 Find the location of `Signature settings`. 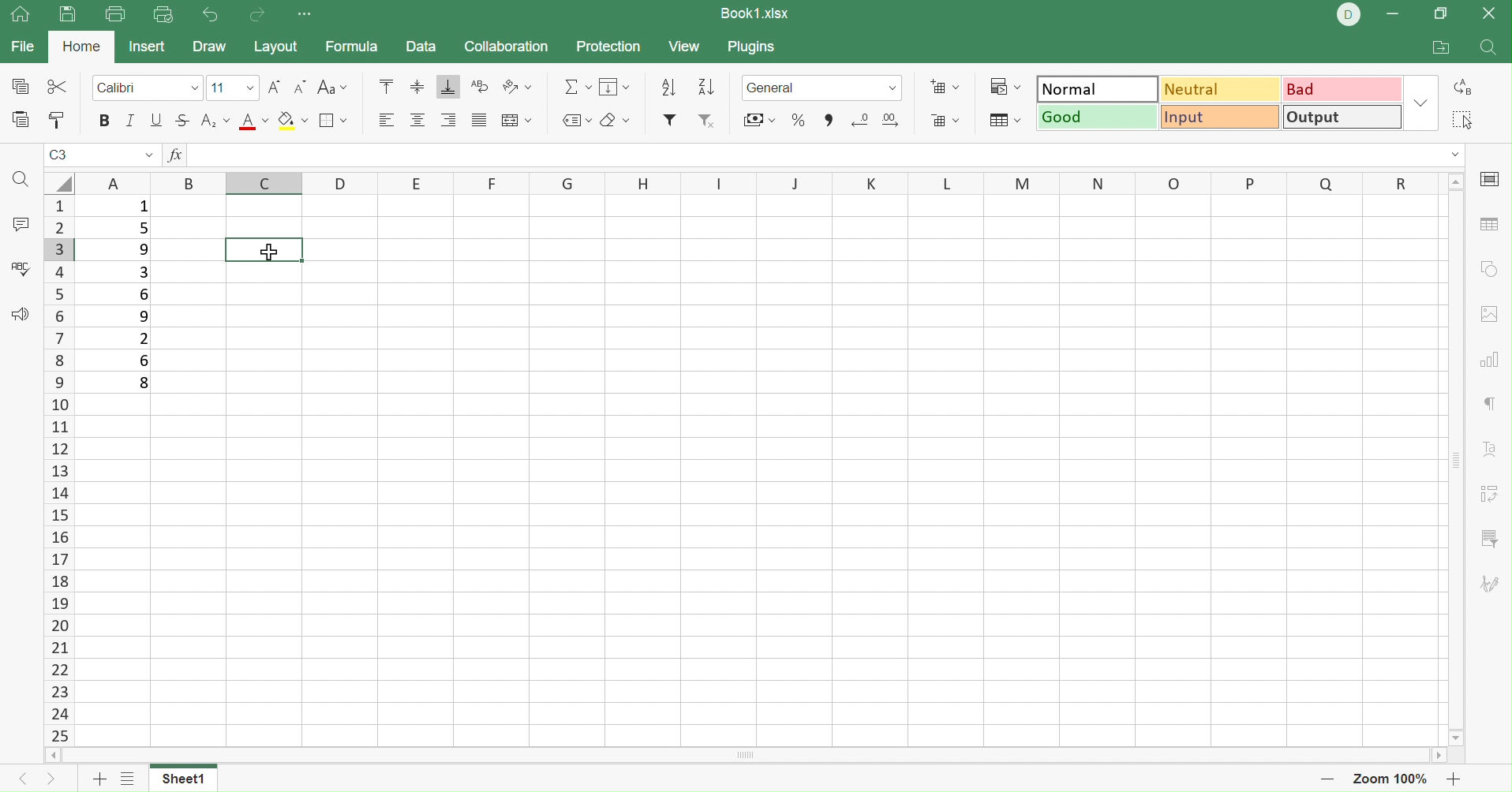

Signature settings is located at coordinates (1493, 581).